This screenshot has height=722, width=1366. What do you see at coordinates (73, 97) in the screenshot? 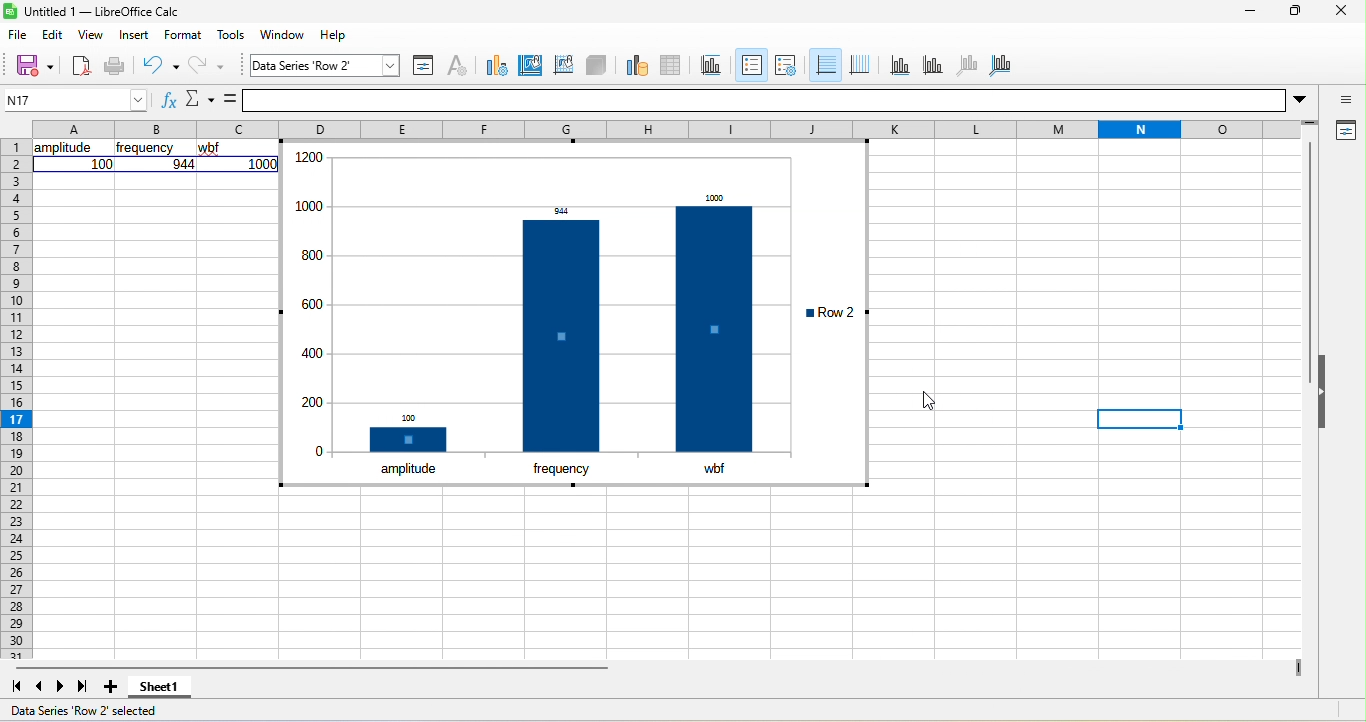
I see `N17` at bounding box center [73, 97].